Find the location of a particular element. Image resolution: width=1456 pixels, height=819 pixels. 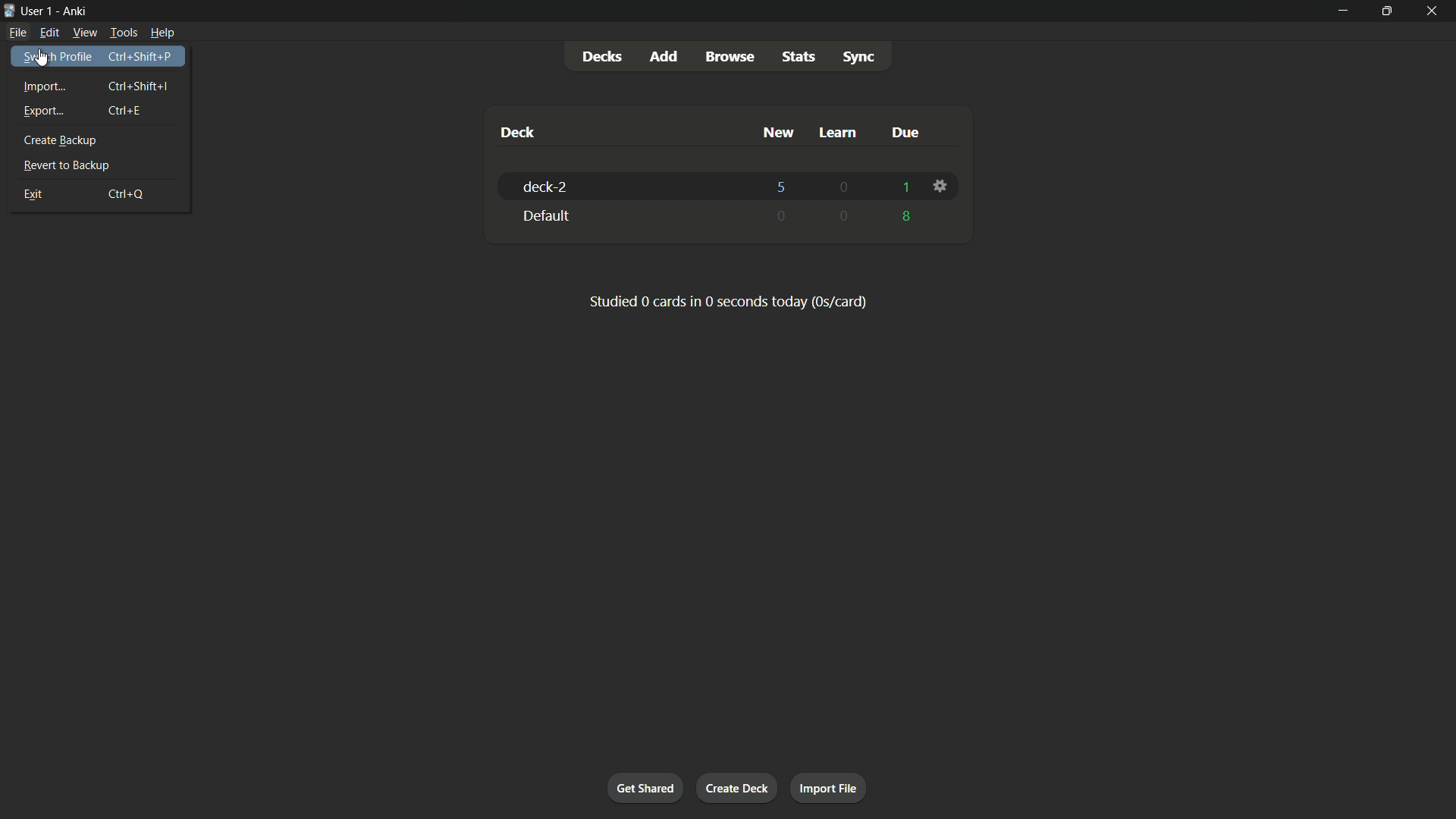

Switch profile is located at coordinates (98, 58).